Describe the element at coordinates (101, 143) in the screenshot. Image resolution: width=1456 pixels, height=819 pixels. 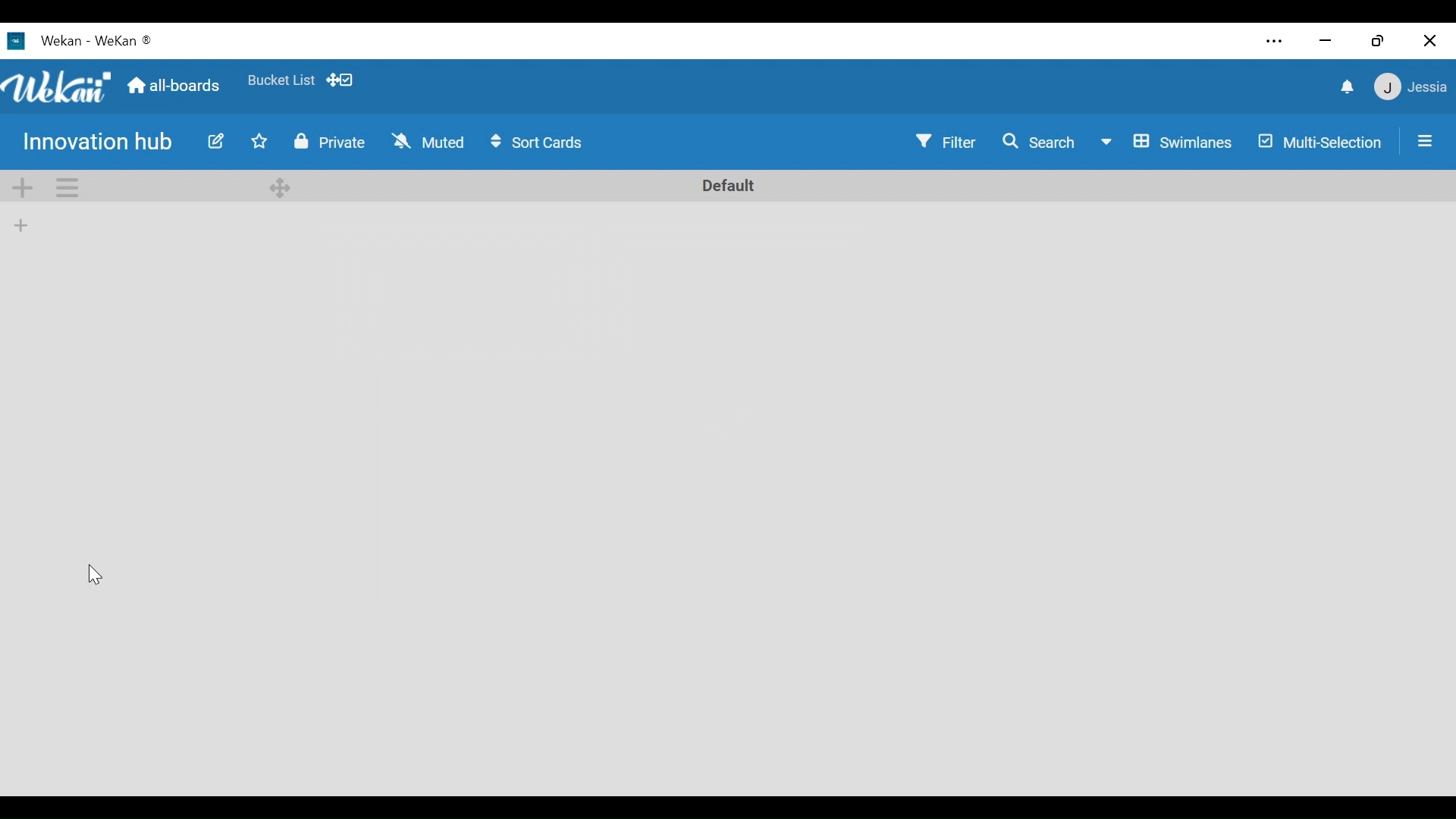
I see `Board Tite` at that location.